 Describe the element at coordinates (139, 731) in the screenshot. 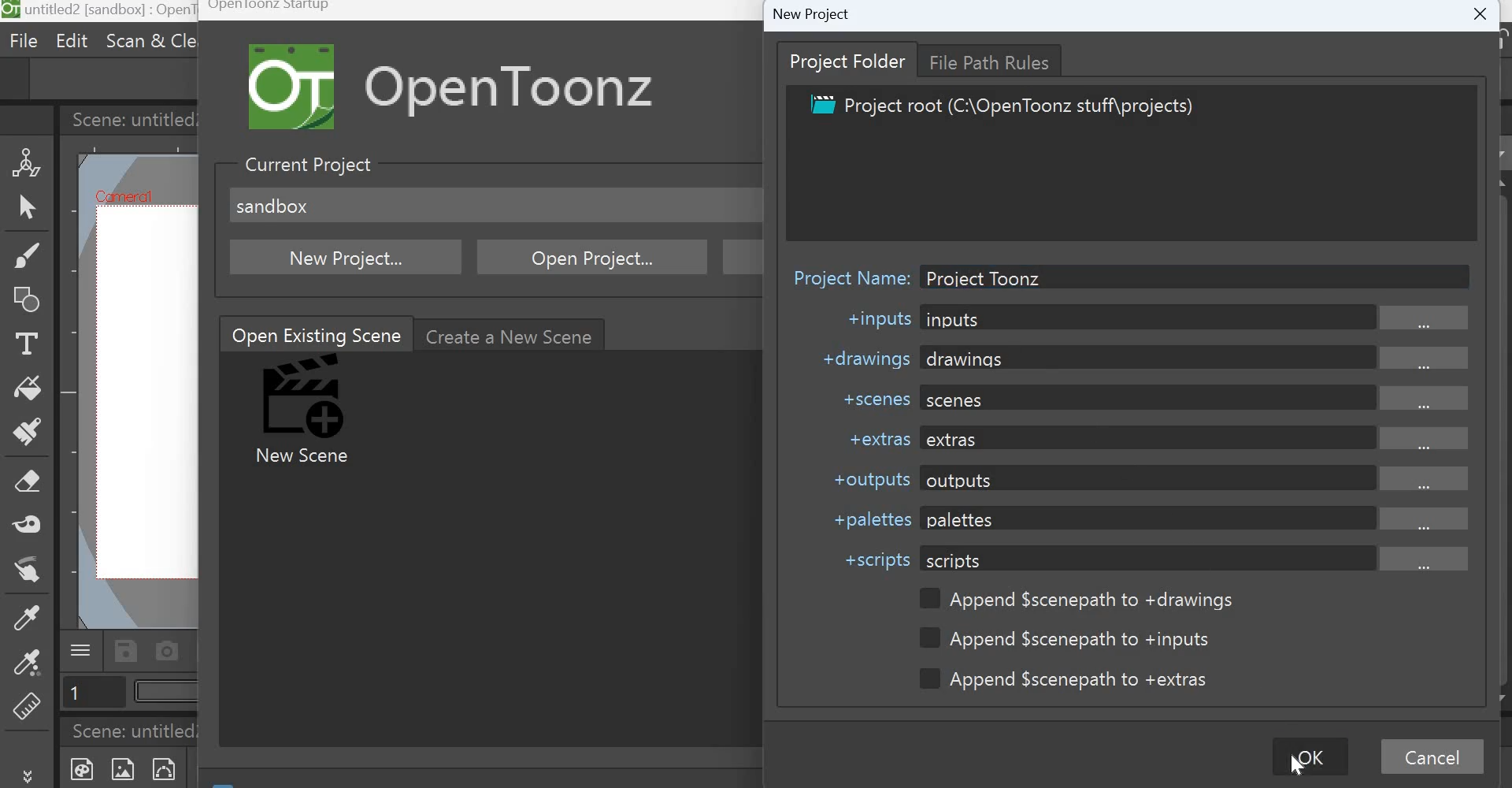

I see `Scene: untitled2` at that location.